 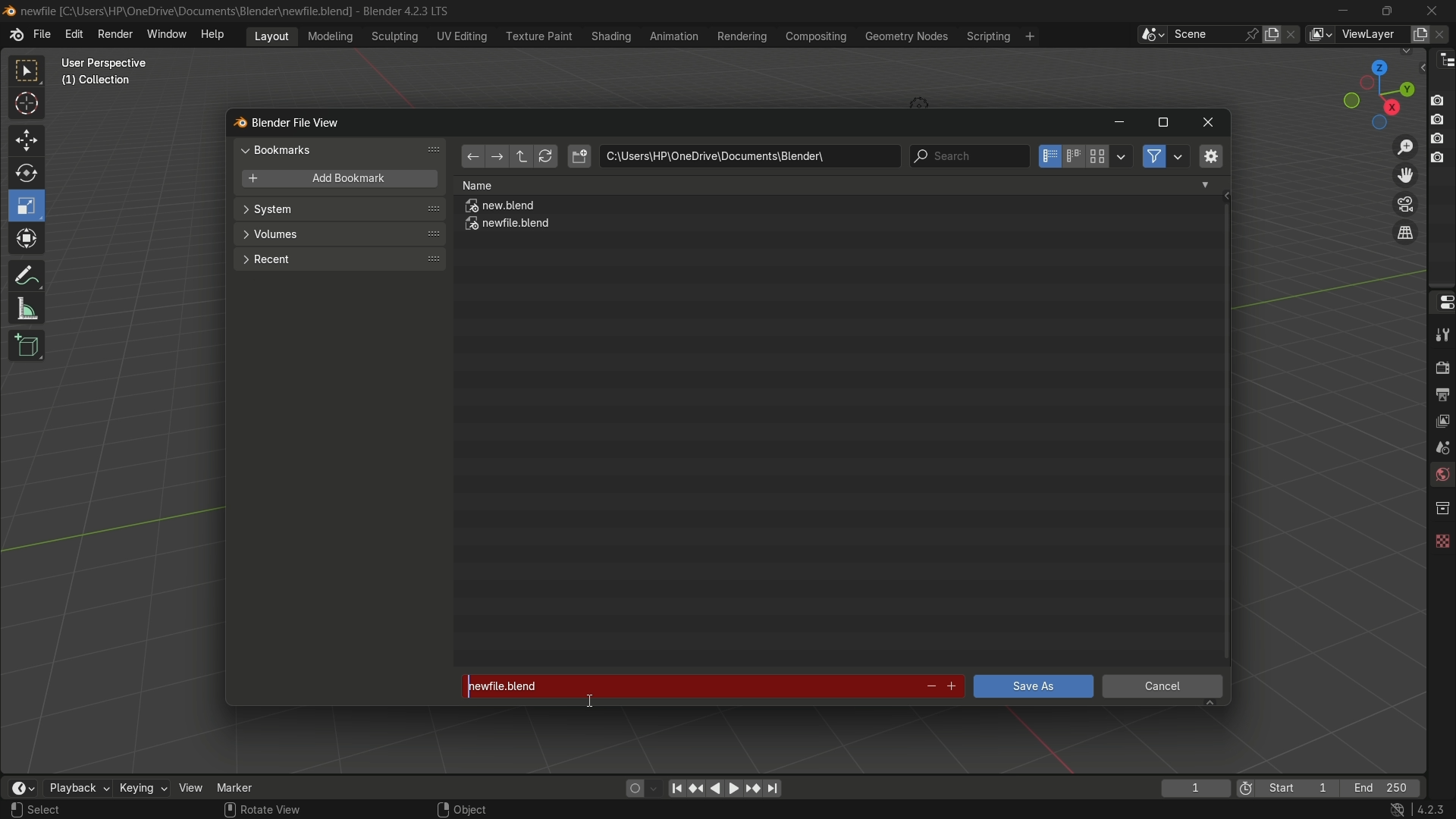 I want to click on bookmarks, so click(x=343, y=149).